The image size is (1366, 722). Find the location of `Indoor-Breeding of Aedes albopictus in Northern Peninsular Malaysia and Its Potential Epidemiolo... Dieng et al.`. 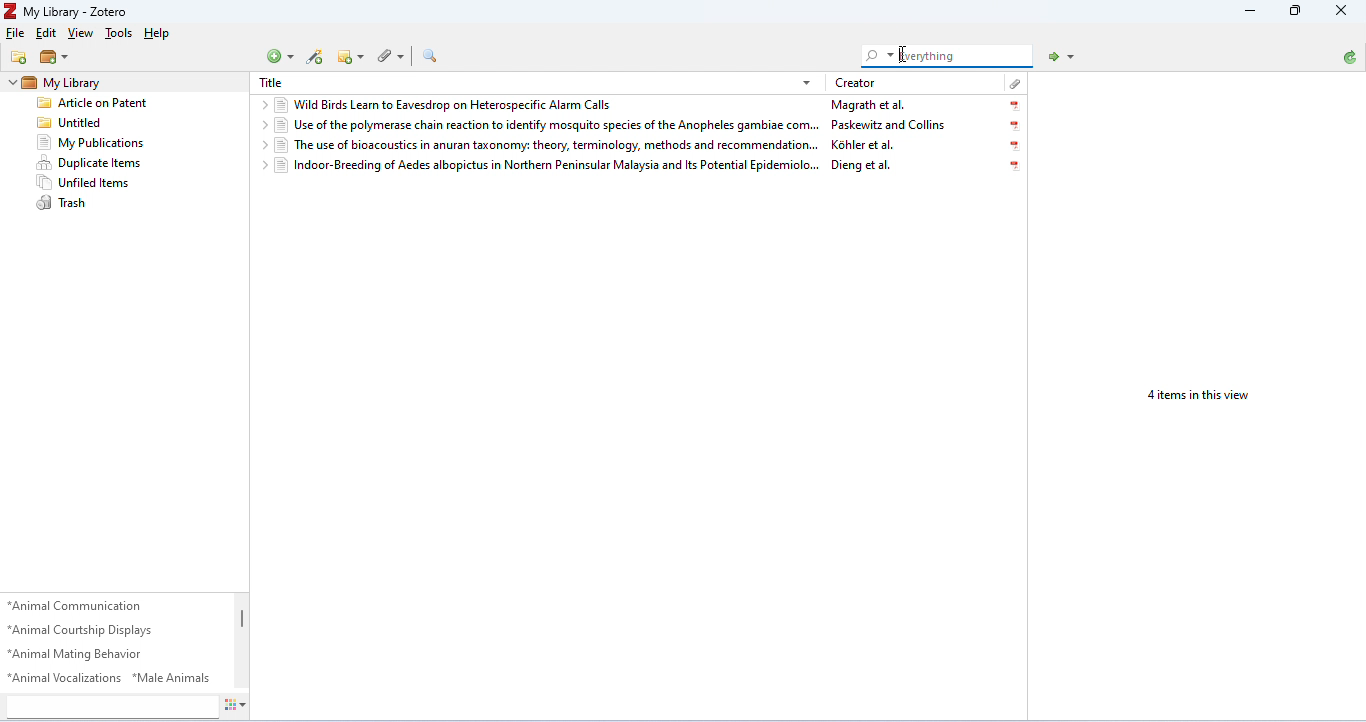

Indoor-Breeding of Aedes albopictus in Northern Peninsular Malaysia and Its Potential Epidemiolo... Dieng et al. is located at coordinates (639, 167).